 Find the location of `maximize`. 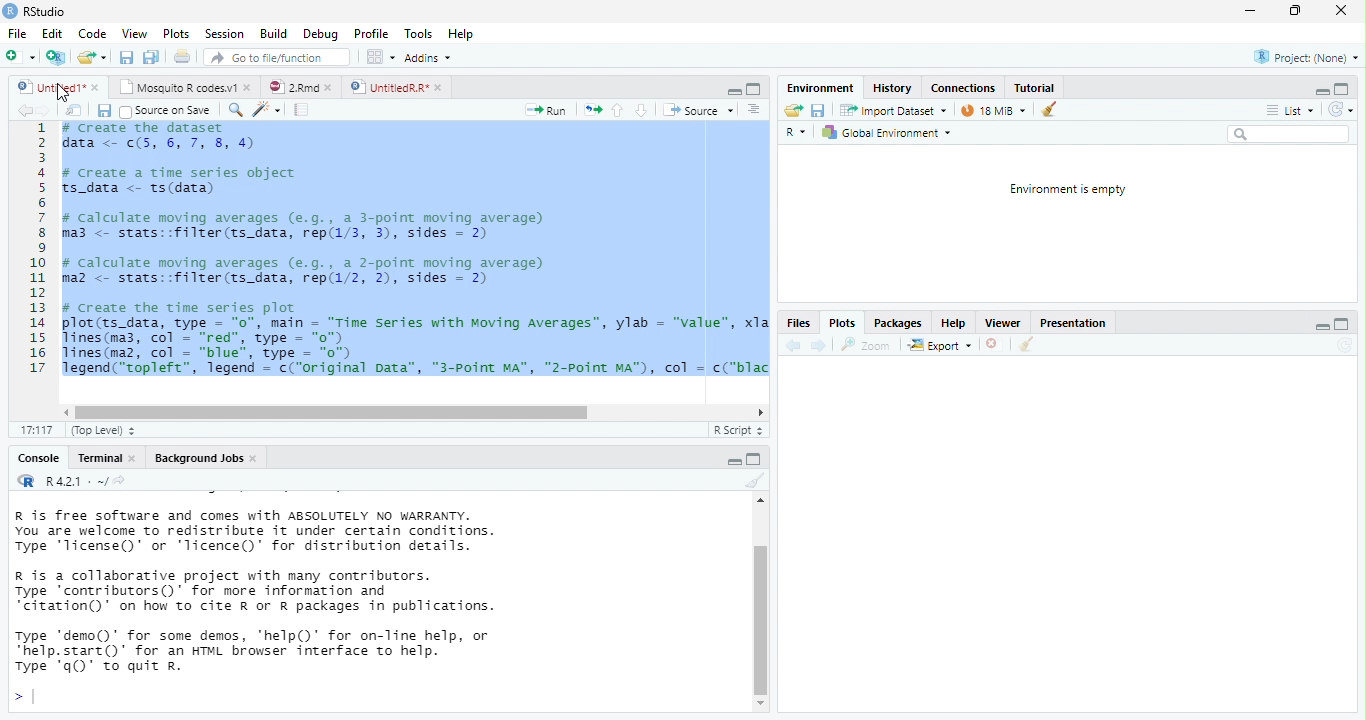

maximize is located at coordinates (1295, 11).